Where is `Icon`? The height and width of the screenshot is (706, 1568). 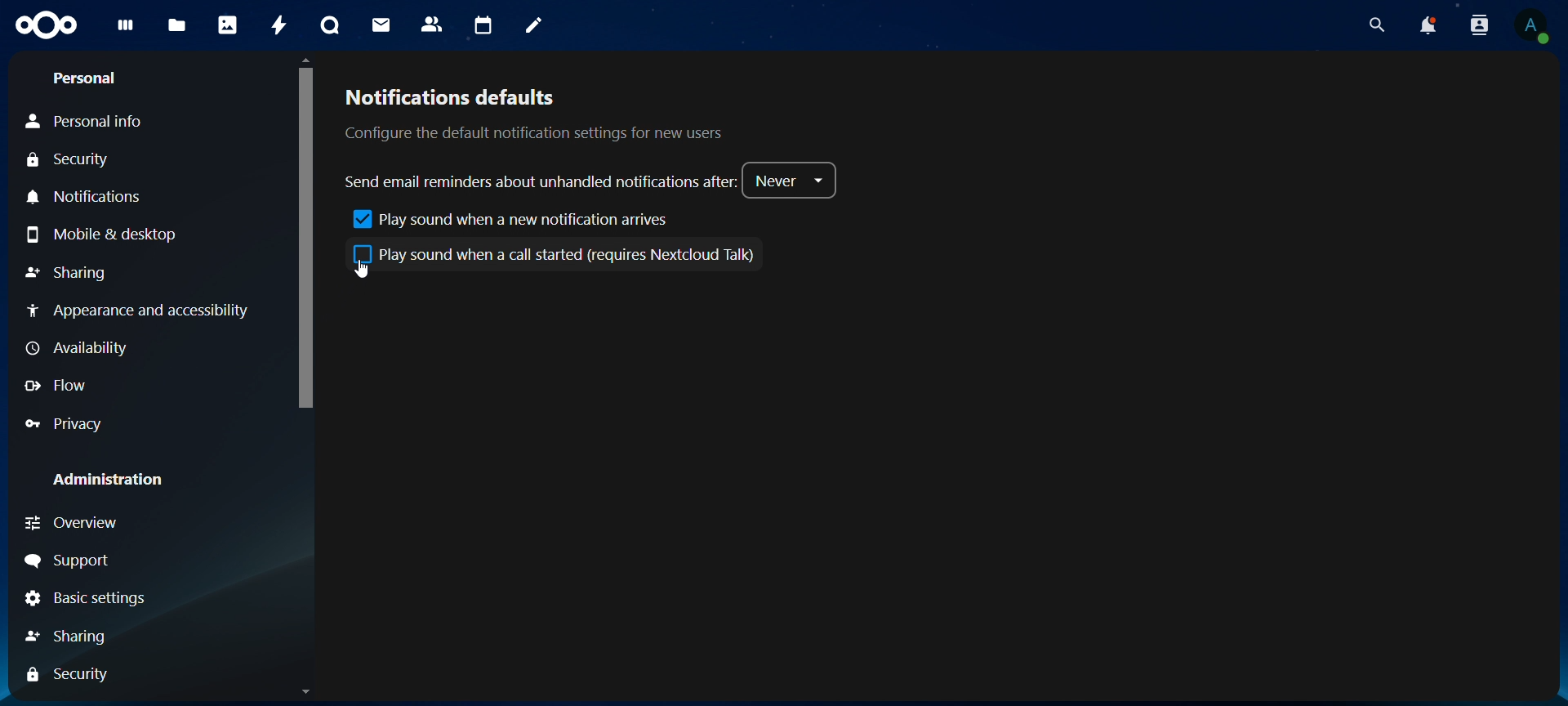
Icon is located at coordinates (49, 25).